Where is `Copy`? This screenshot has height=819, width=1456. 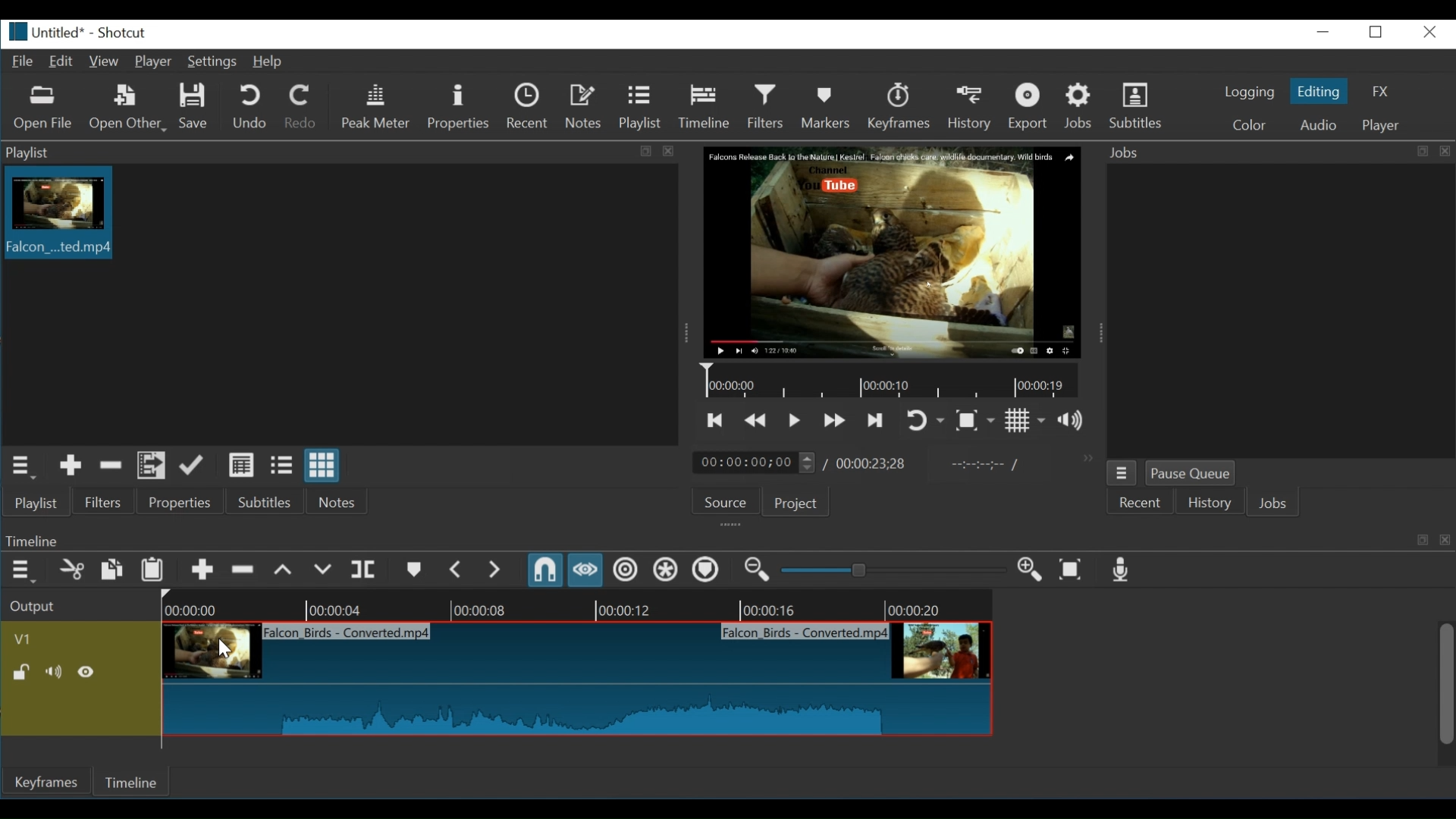 Copy is located at coordinates (112, 570).